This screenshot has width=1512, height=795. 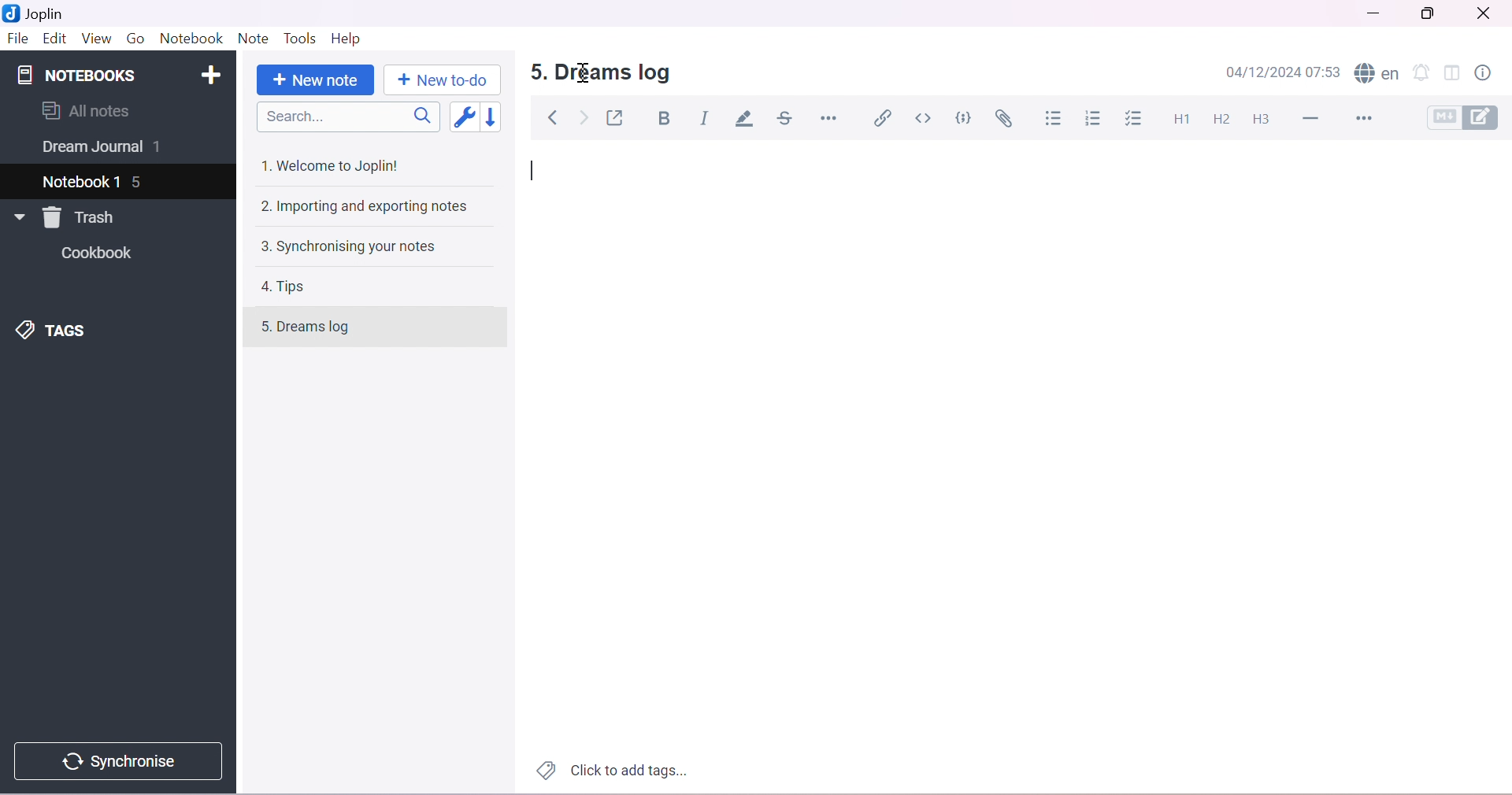 What do you see at coordinates (747, 120) in the screenshot?
I see `Highlight` at bounding box center [747, 120].